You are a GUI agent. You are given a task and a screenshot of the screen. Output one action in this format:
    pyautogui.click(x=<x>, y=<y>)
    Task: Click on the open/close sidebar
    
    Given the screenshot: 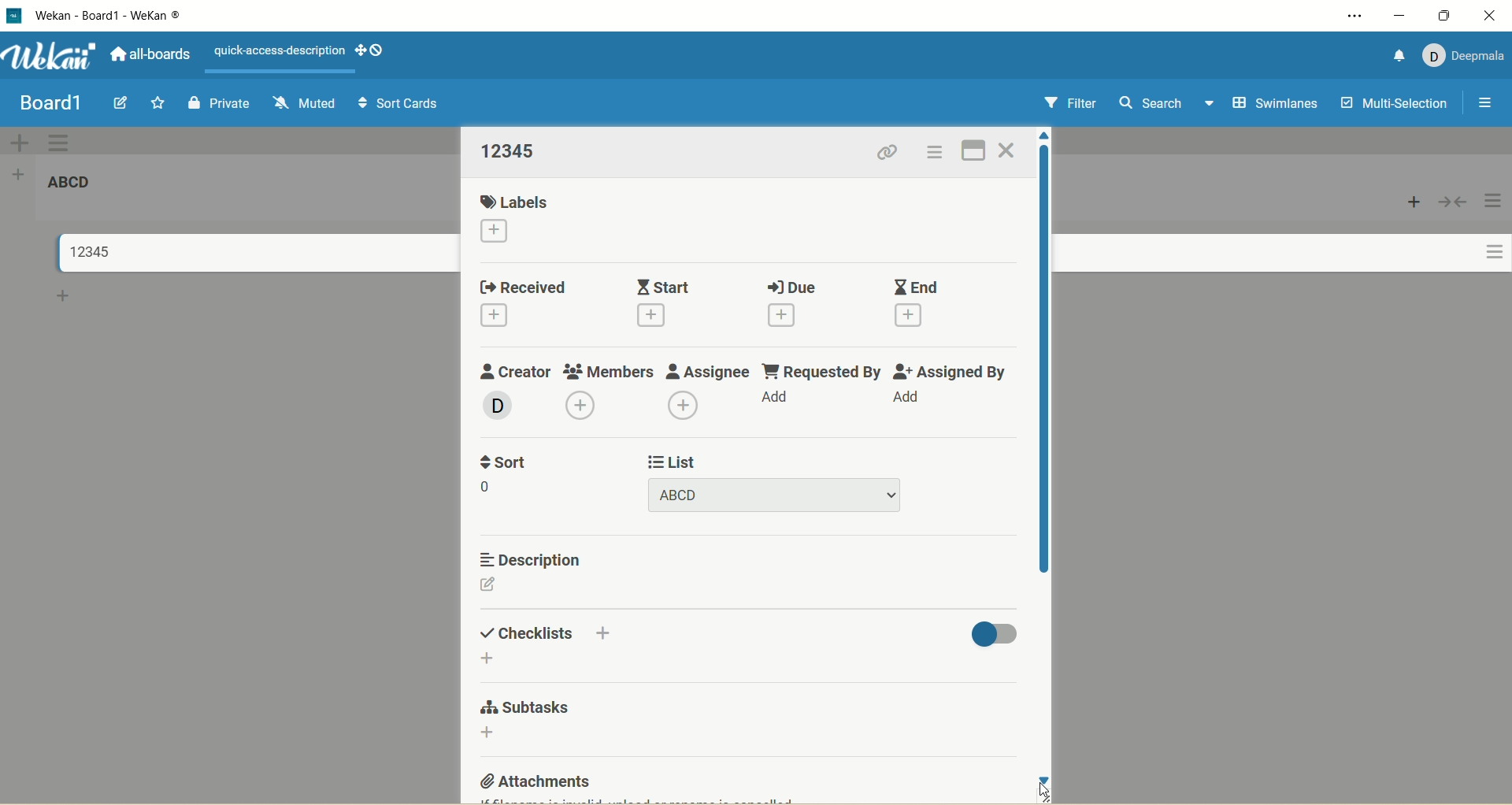 What is the action you would take?
    pyautogui.click(x=1483, y=104)
    